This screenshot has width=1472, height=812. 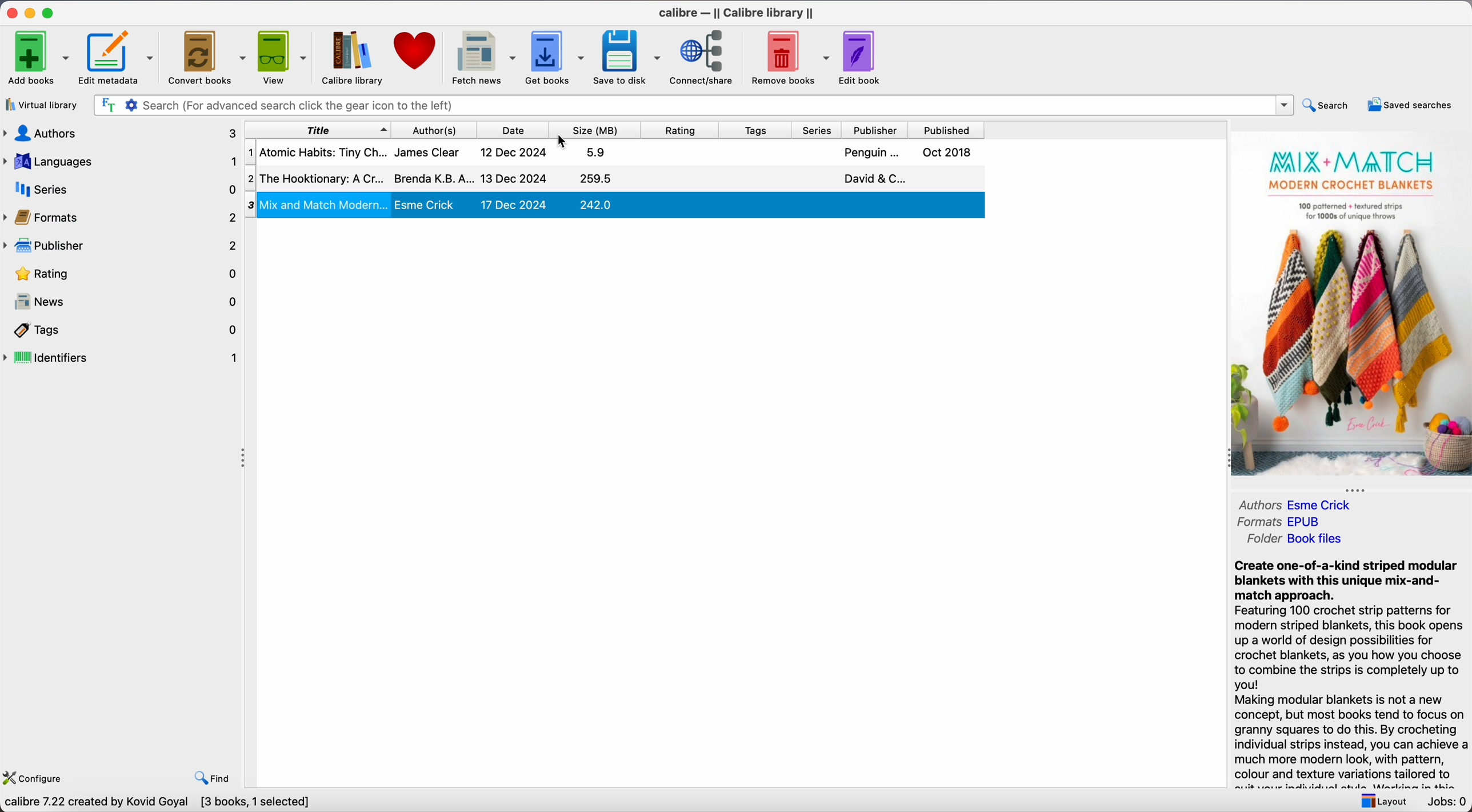 What do you see at coordinates (1445, 802) in the screenshot?
I see `Jobs: 0` at bounding box center [1445, 802].